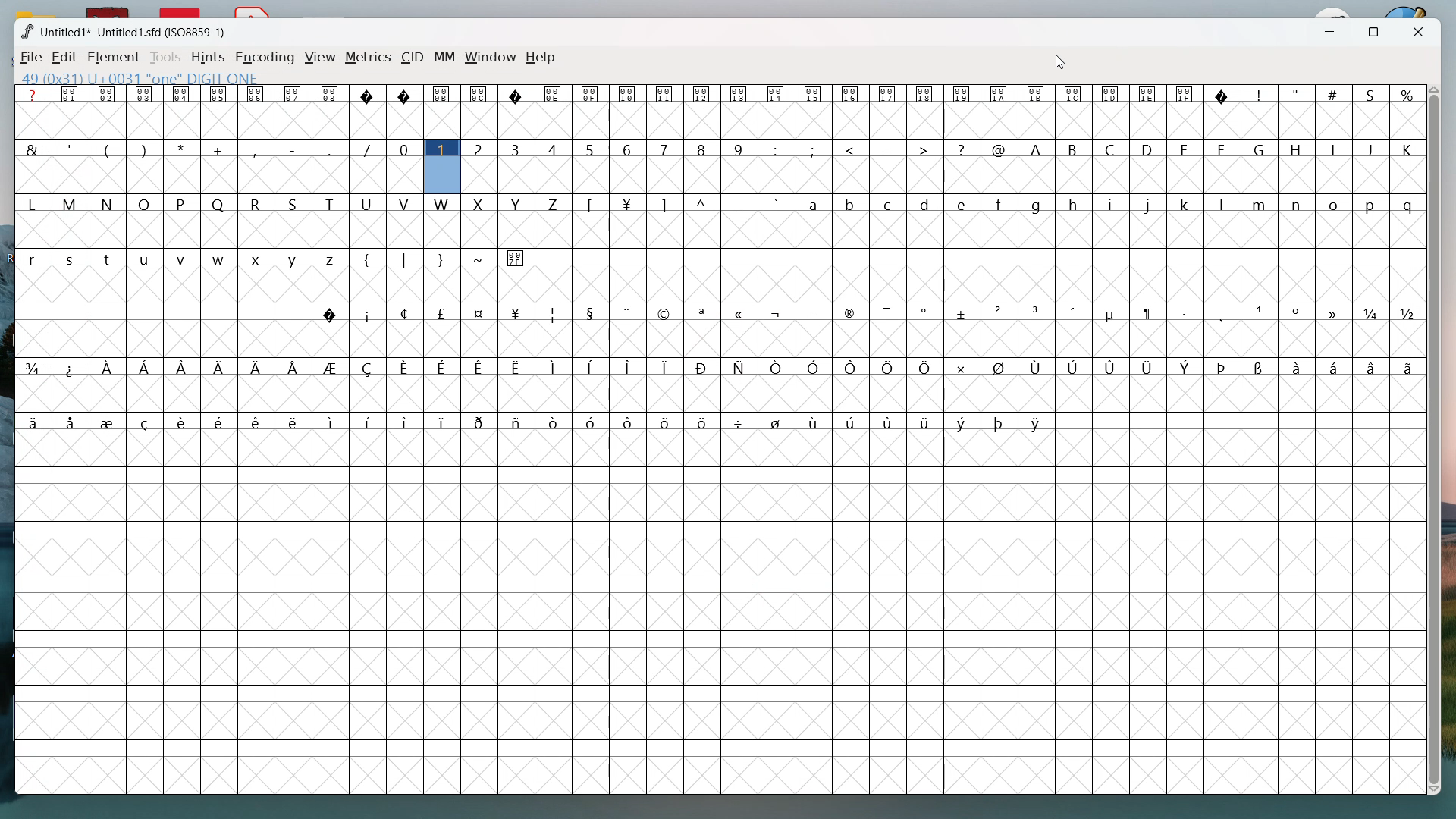 This screenshot has width=1456, height=819. Describe the element at coordinates (479, 257) in the screenshot. I see `~` at that location.